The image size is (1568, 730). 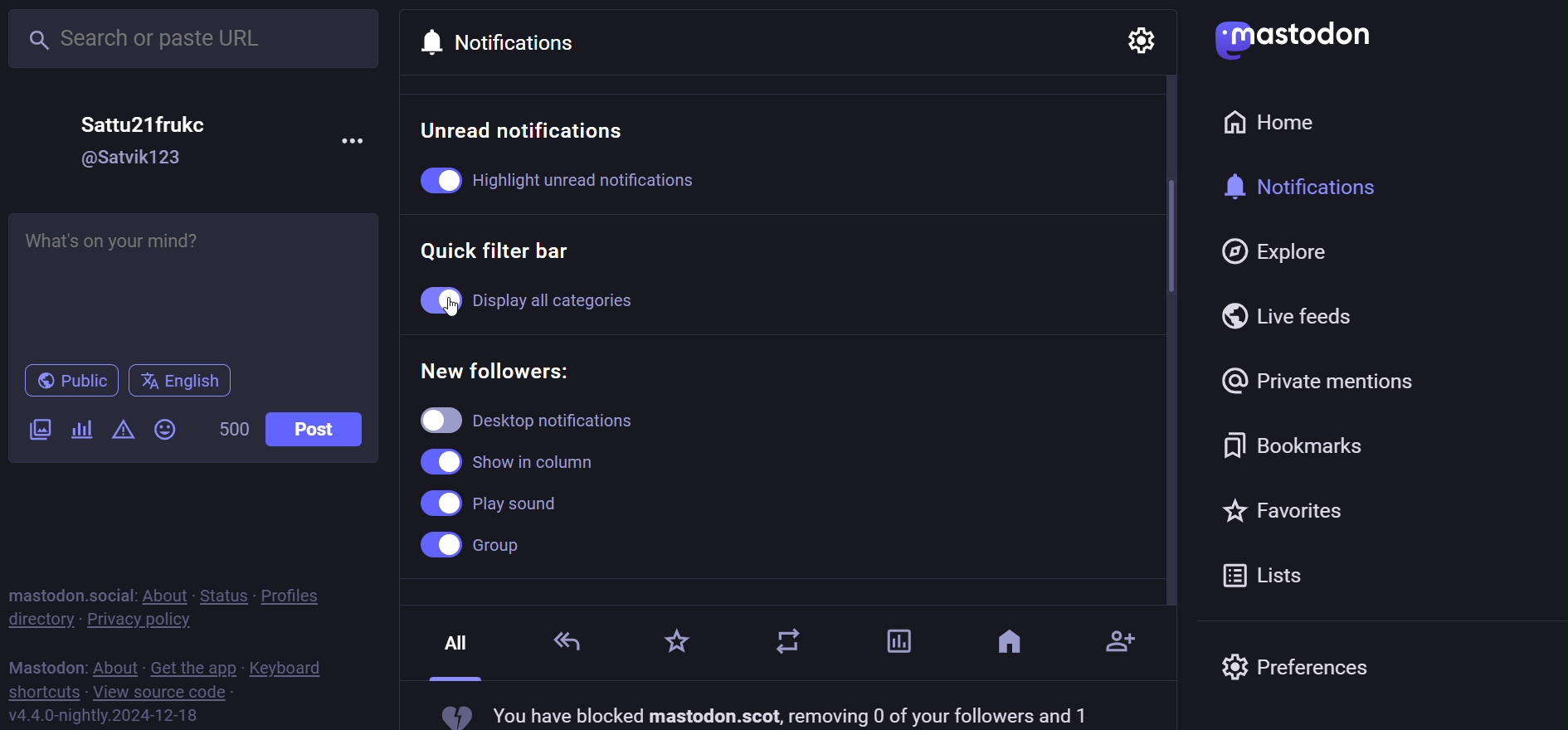 What do you see at coordinates (221, 593) in the screenshot?
I see `status` at bounding box center [221, 593].